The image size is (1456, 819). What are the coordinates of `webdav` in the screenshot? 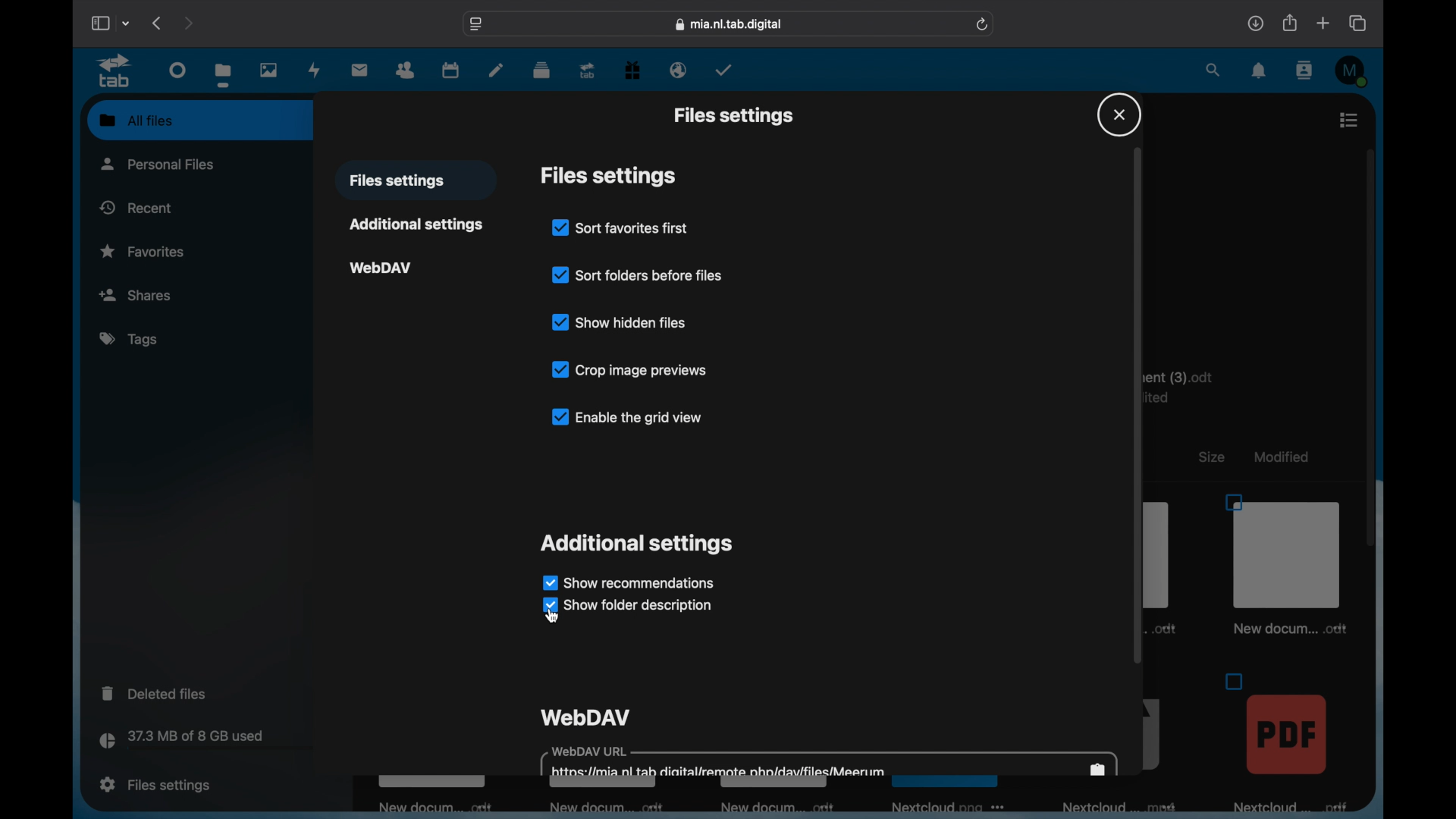 It's located at (585, 717).